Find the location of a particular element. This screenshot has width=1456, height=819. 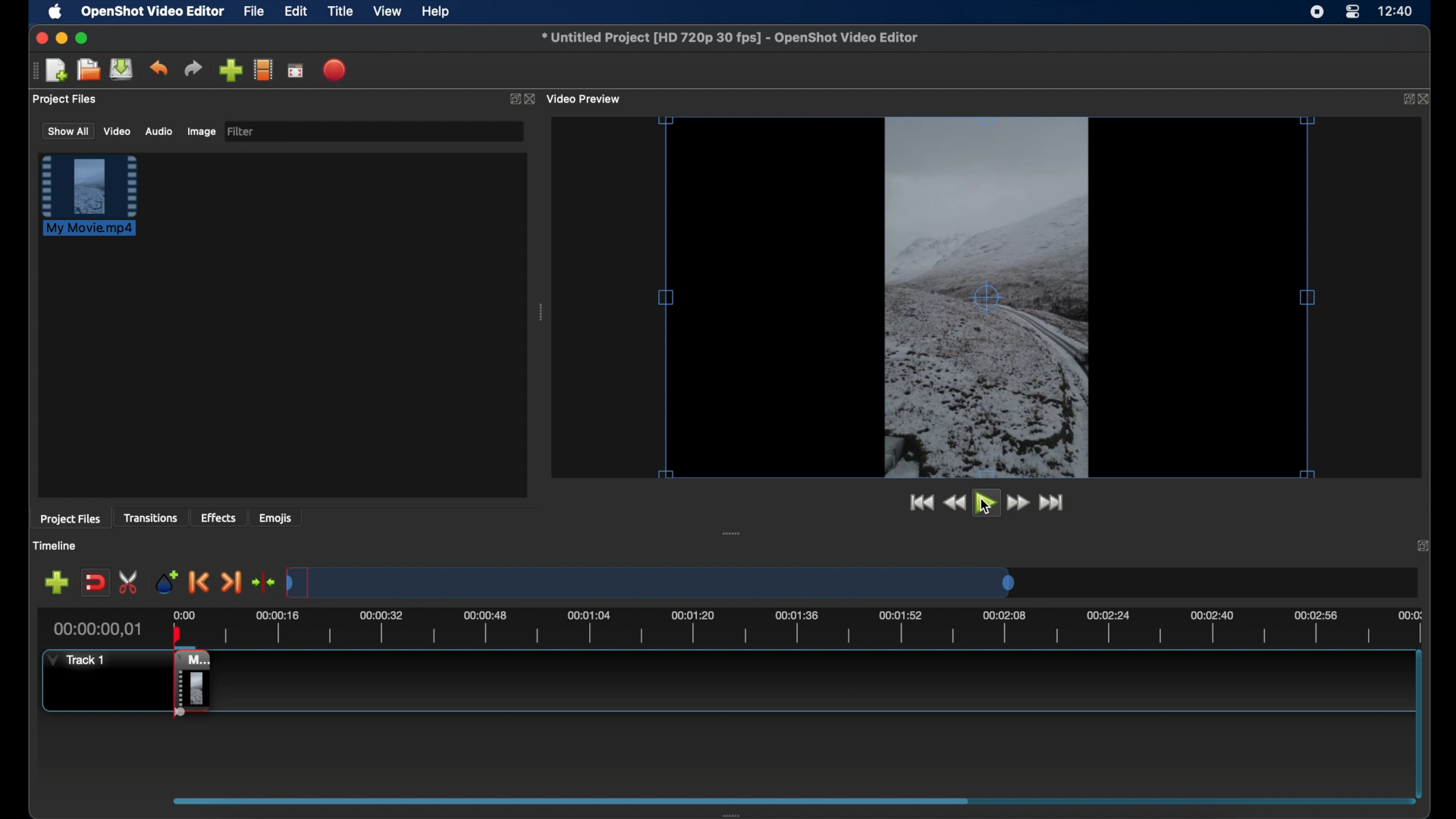

close is located at coordinates (1426, 100).